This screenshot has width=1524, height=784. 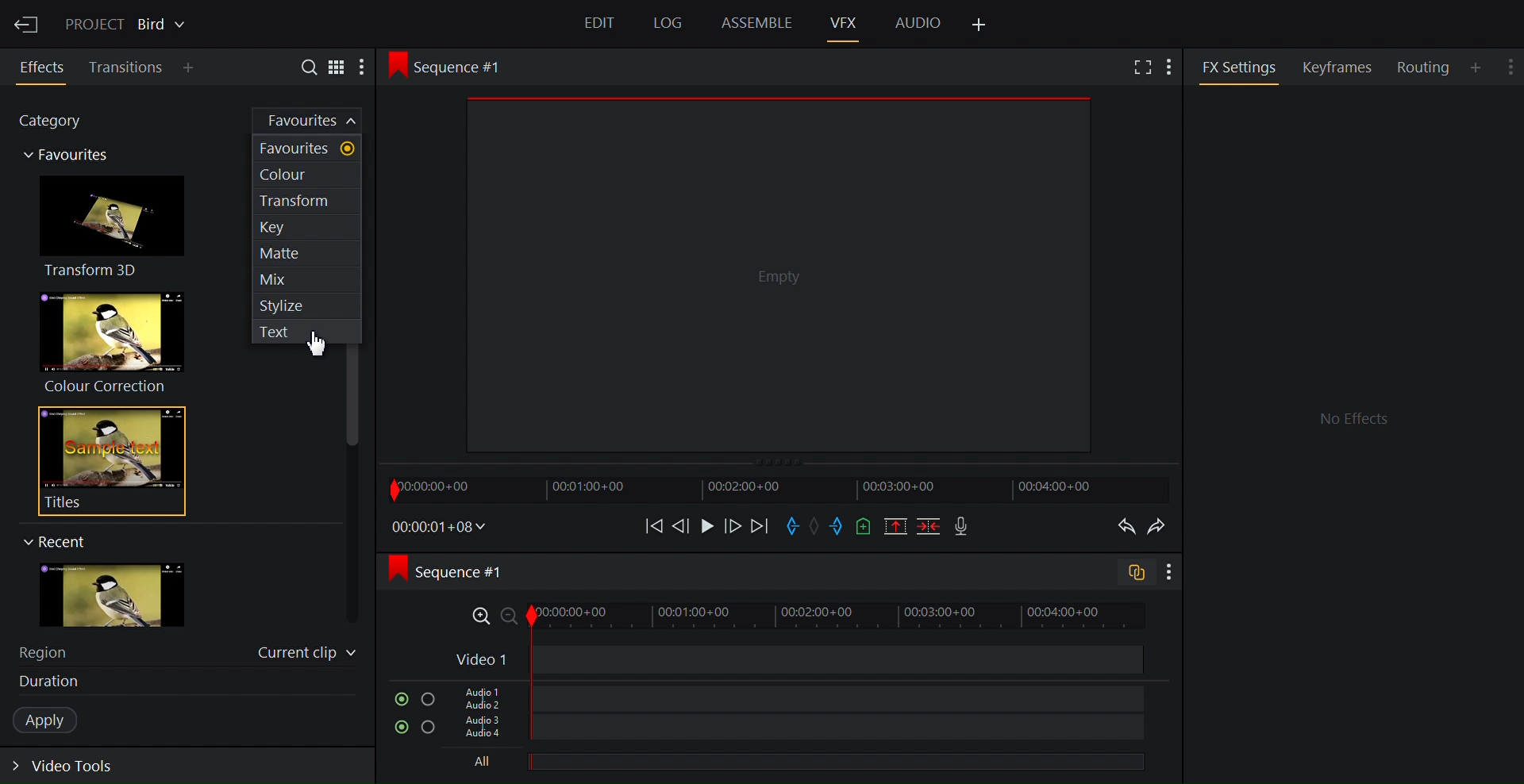 I want to click on Log, so click(x=665, y=24).